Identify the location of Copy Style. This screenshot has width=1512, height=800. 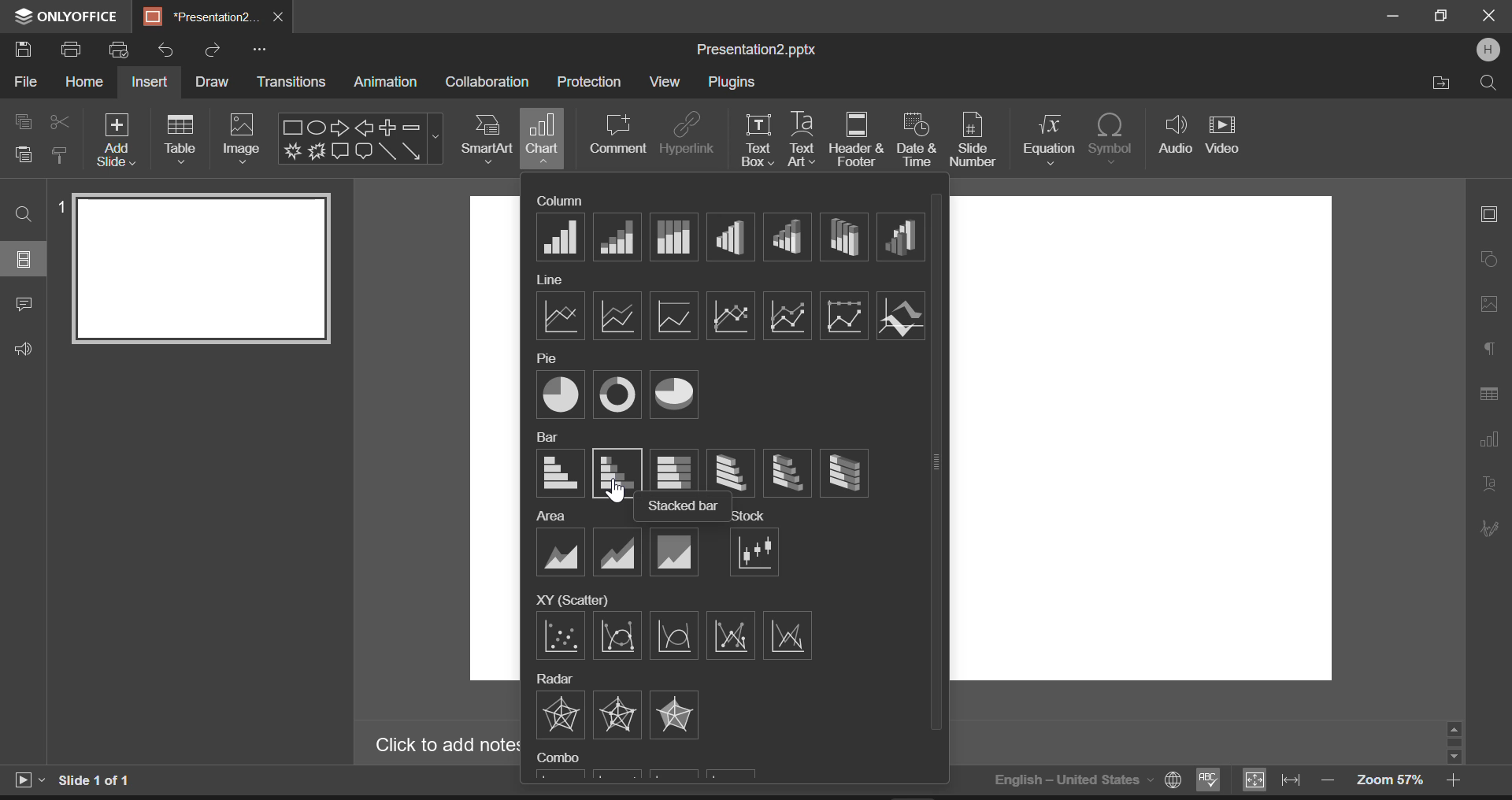
(61, 157).